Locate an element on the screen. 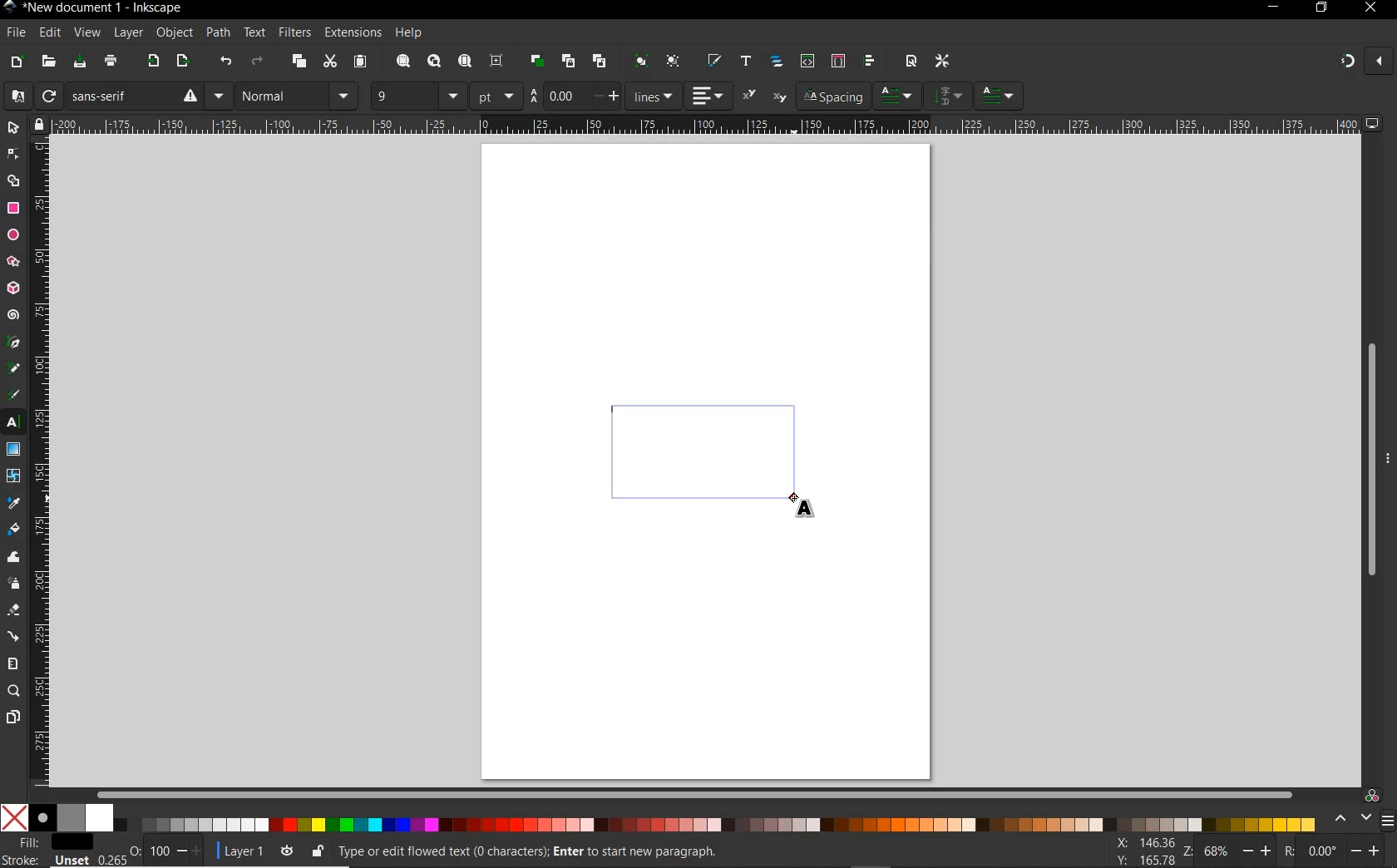  9 is located at coordinates (402, 94).